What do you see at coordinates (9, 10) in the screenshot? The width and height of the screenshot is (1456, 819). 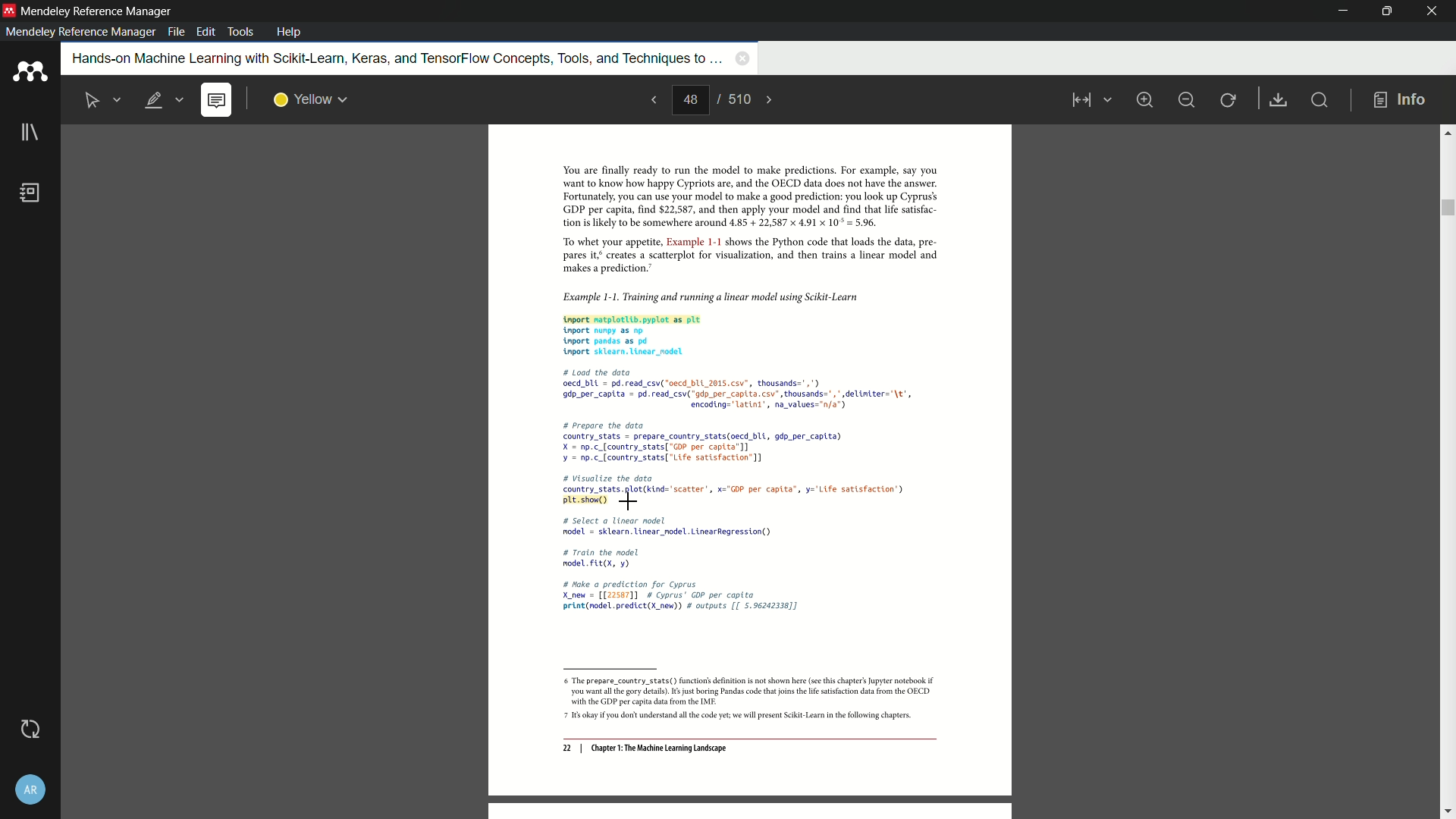 I see `app icon` at bounding box center [9, 10].